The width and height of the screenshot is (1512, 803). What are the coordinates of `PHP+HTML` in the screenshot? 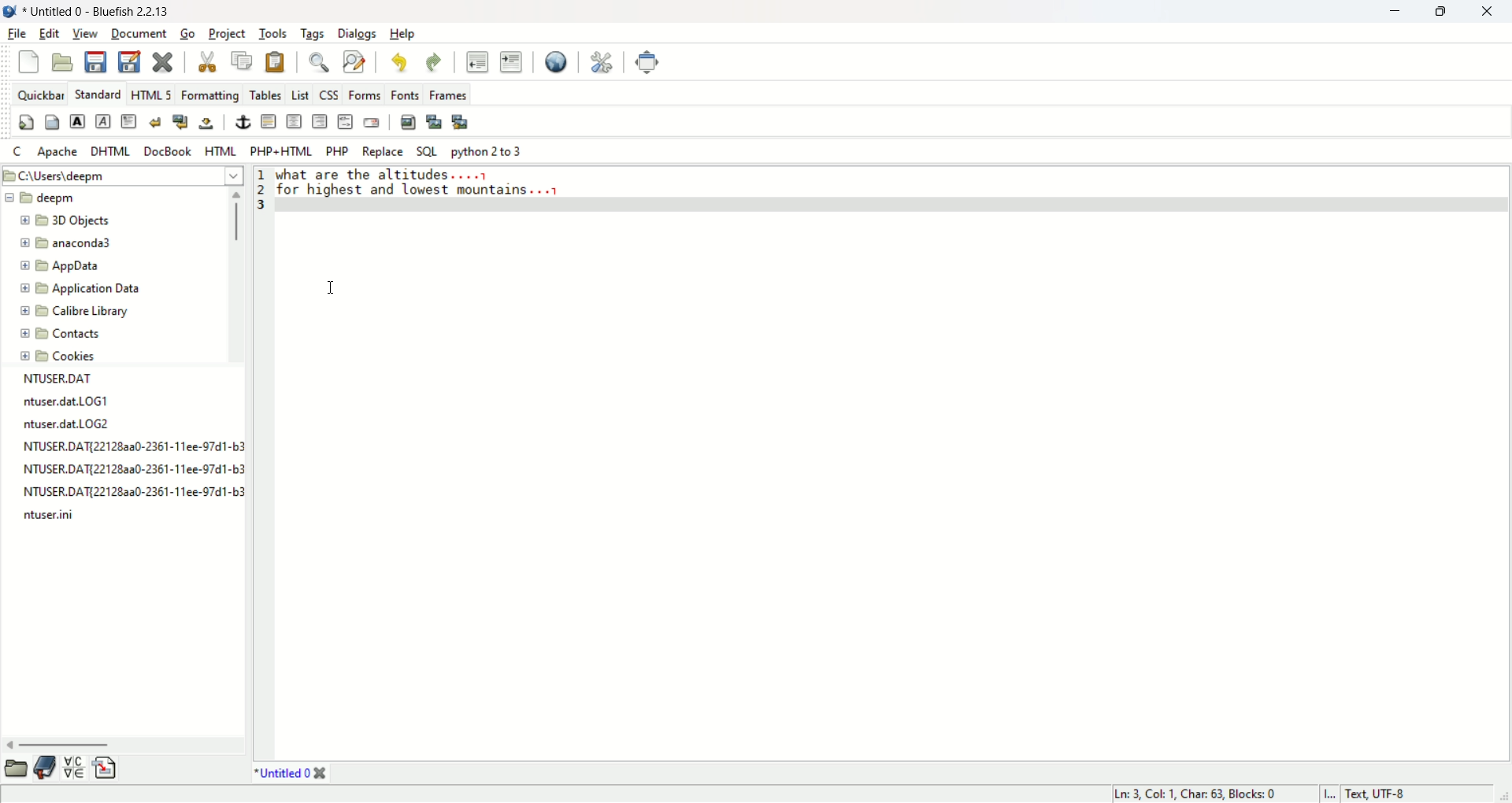 It's located at (280, 150).